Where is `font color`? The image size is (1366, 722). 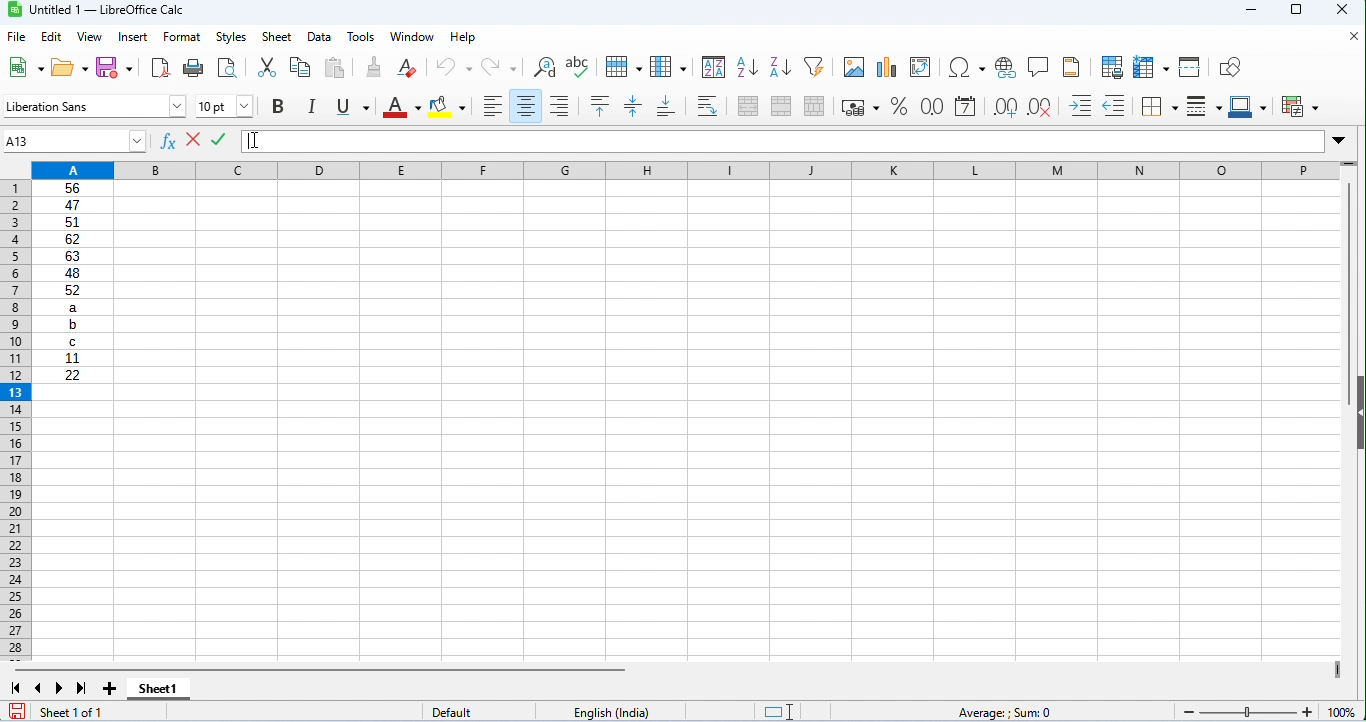
font color is located at coordinates (402, 107).